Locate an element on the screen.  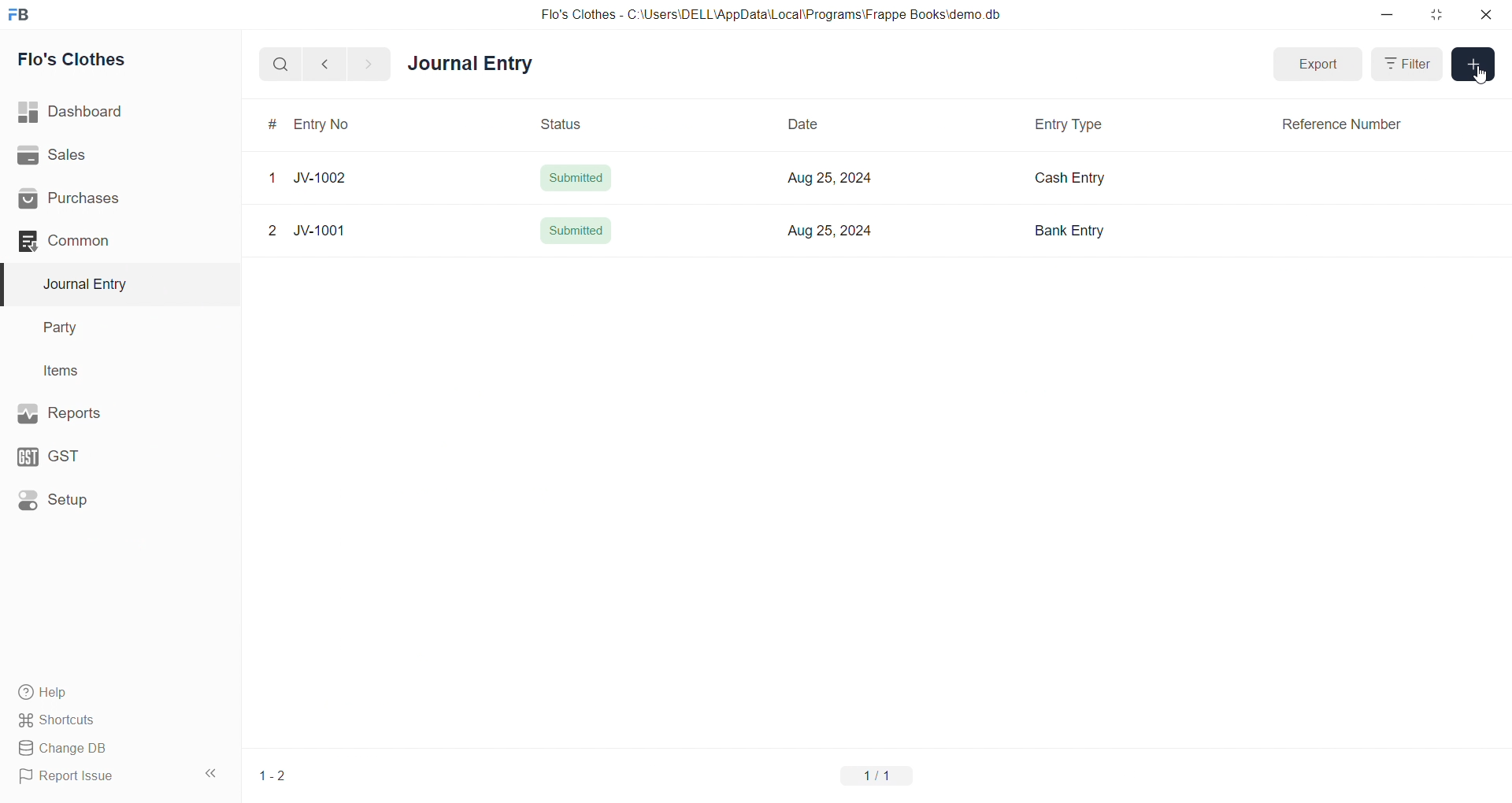
navigate forward is located at coordinates (368, 63).